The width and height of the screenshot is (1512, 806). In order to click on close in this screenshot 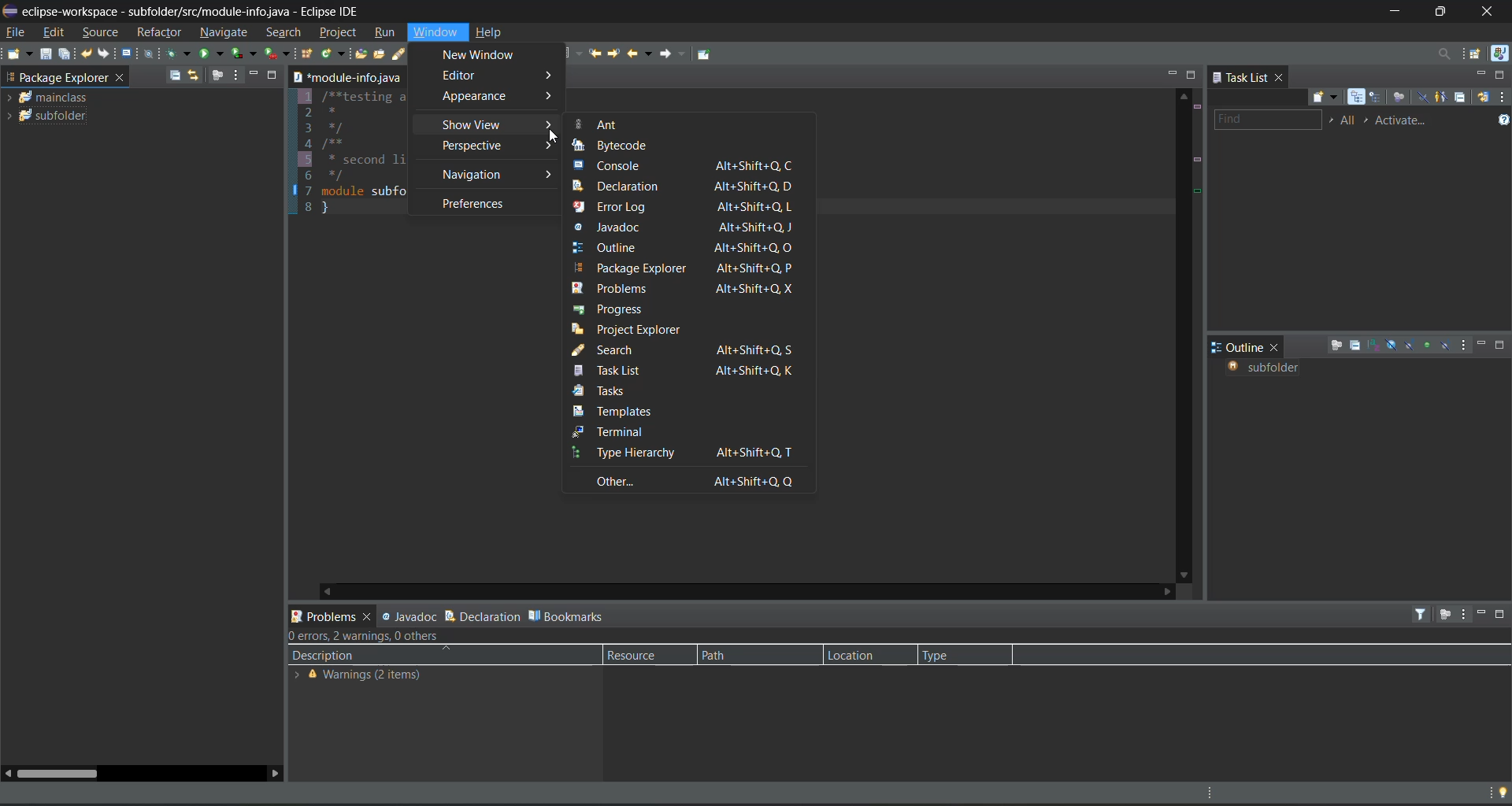, I will do `click(1277, 349)`.